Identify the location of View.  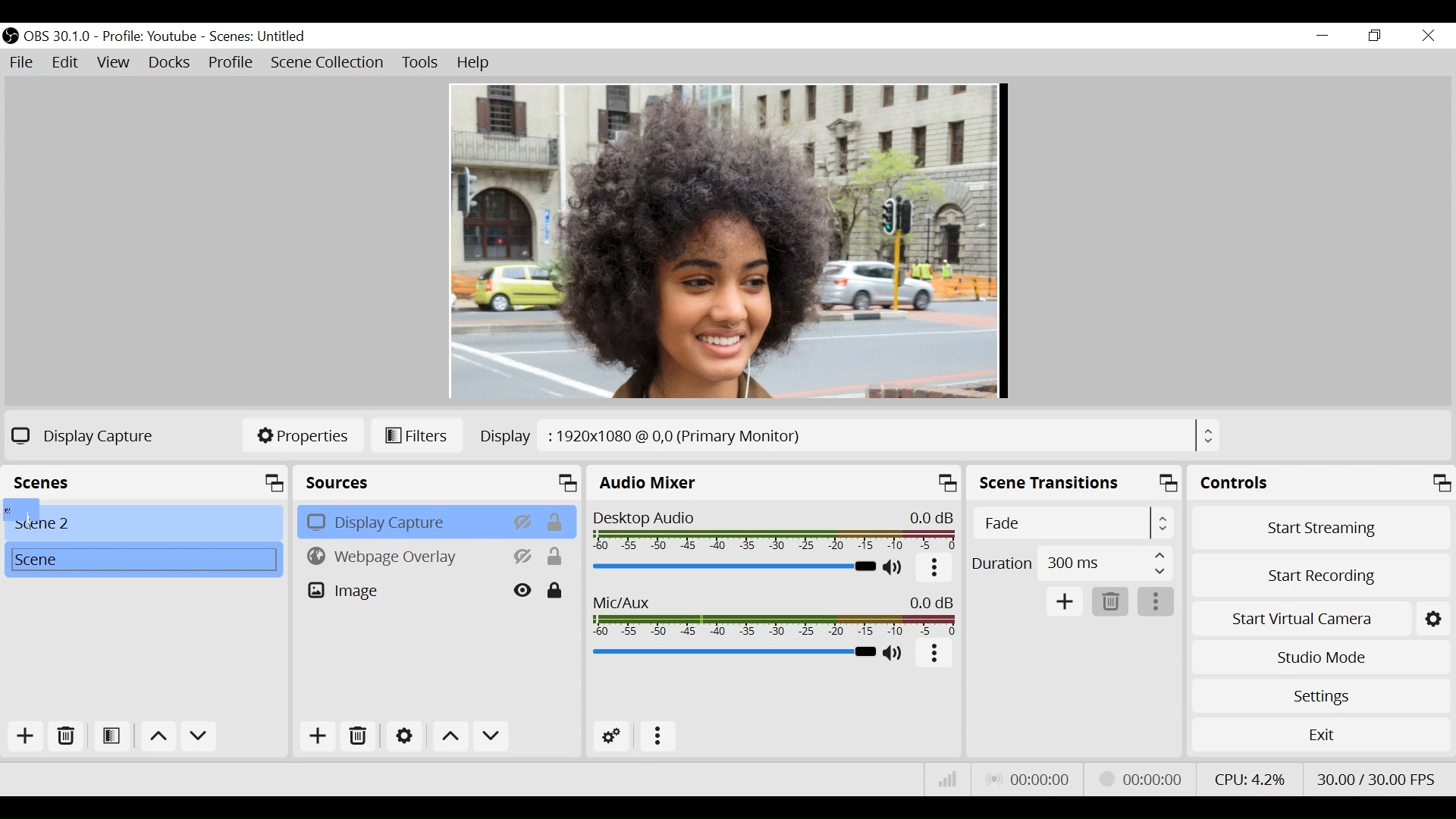
(115, 63).